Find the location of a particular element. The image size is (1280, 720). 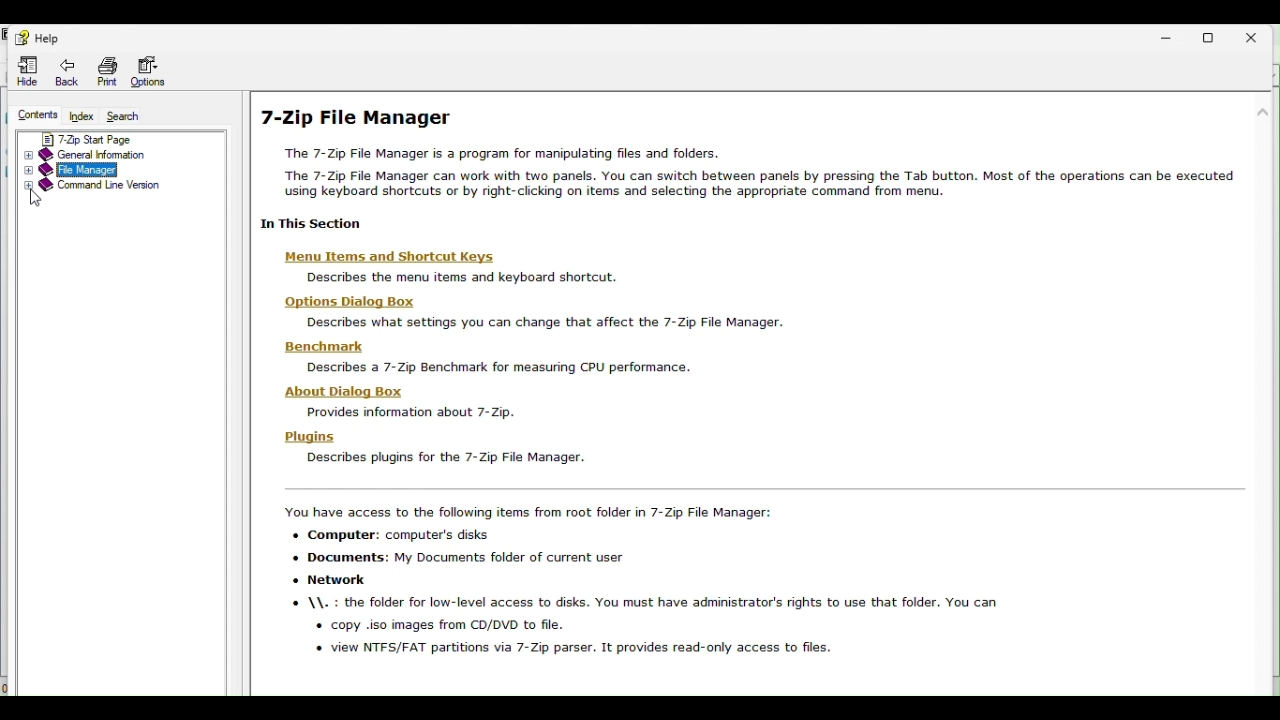

Cursor is located at coordinates (39, 198).